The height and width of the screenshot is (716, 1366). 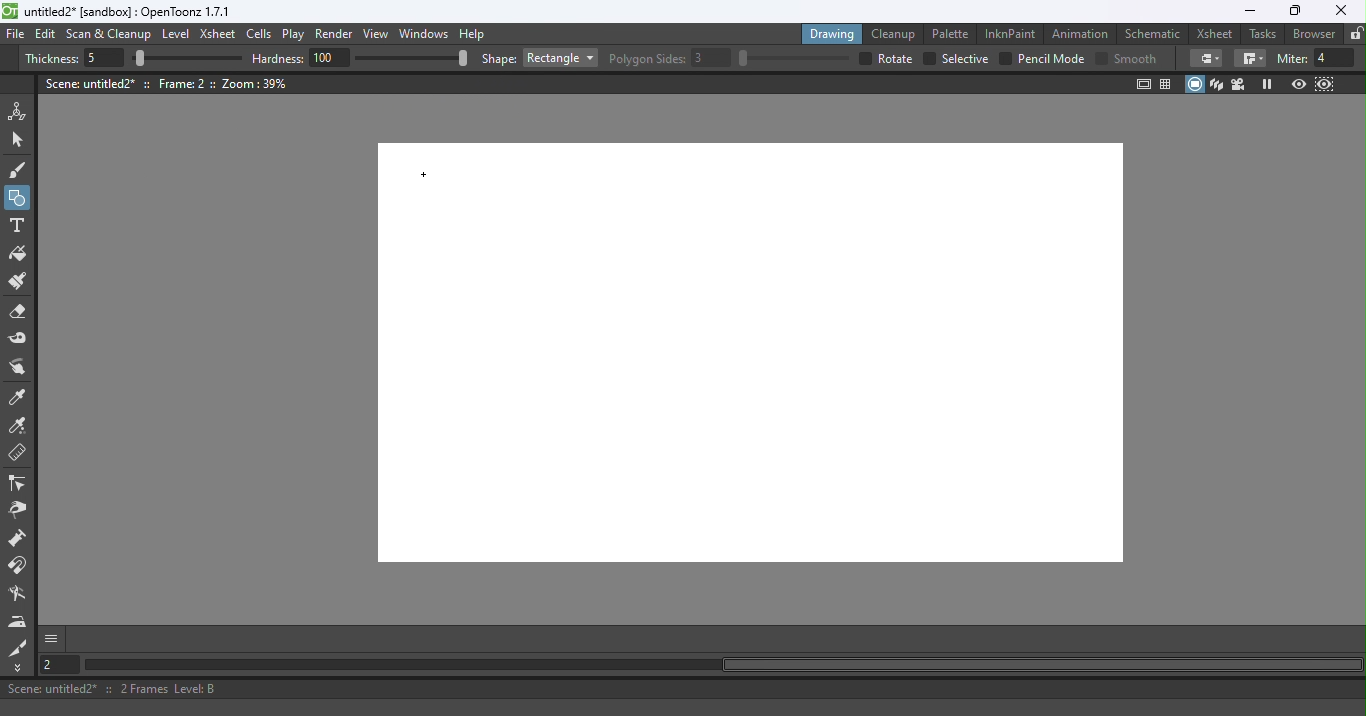 What do you see at coordinates (1083, 32) in the screenshot?
I see `Animation` at bounding box center [1083, 32].